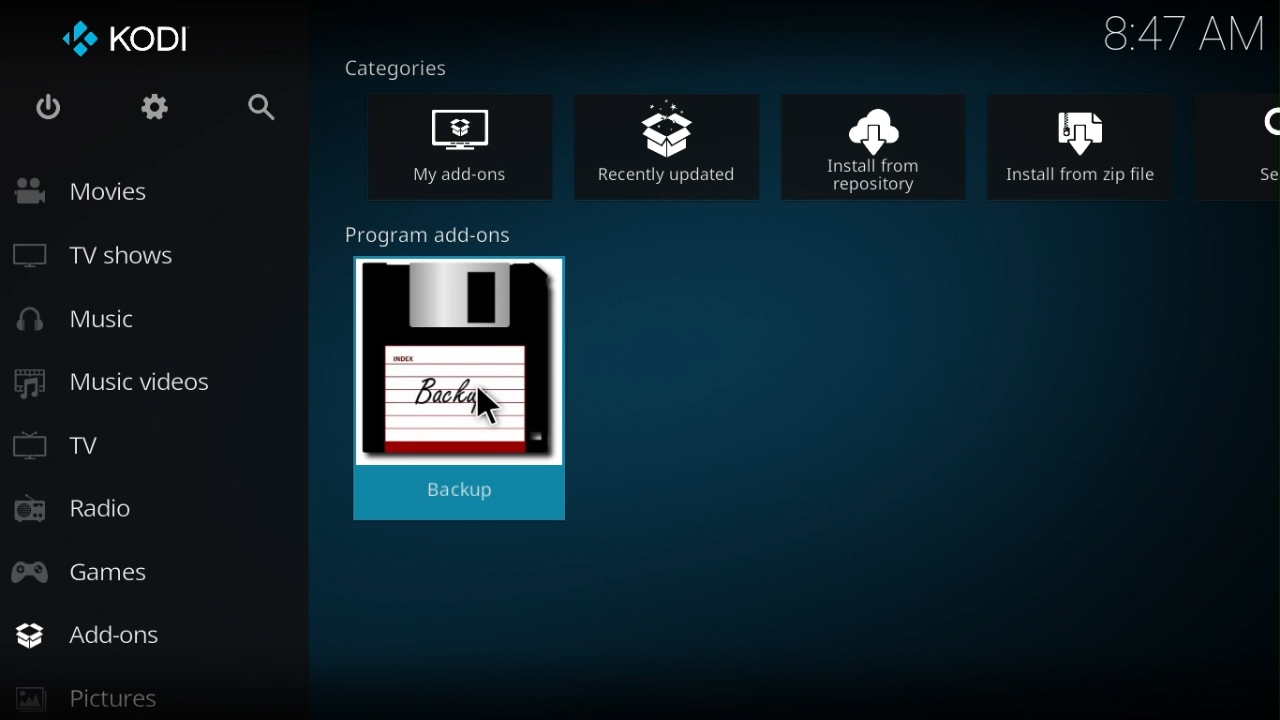  I want to click on Kodi logo, so click(129, 42).